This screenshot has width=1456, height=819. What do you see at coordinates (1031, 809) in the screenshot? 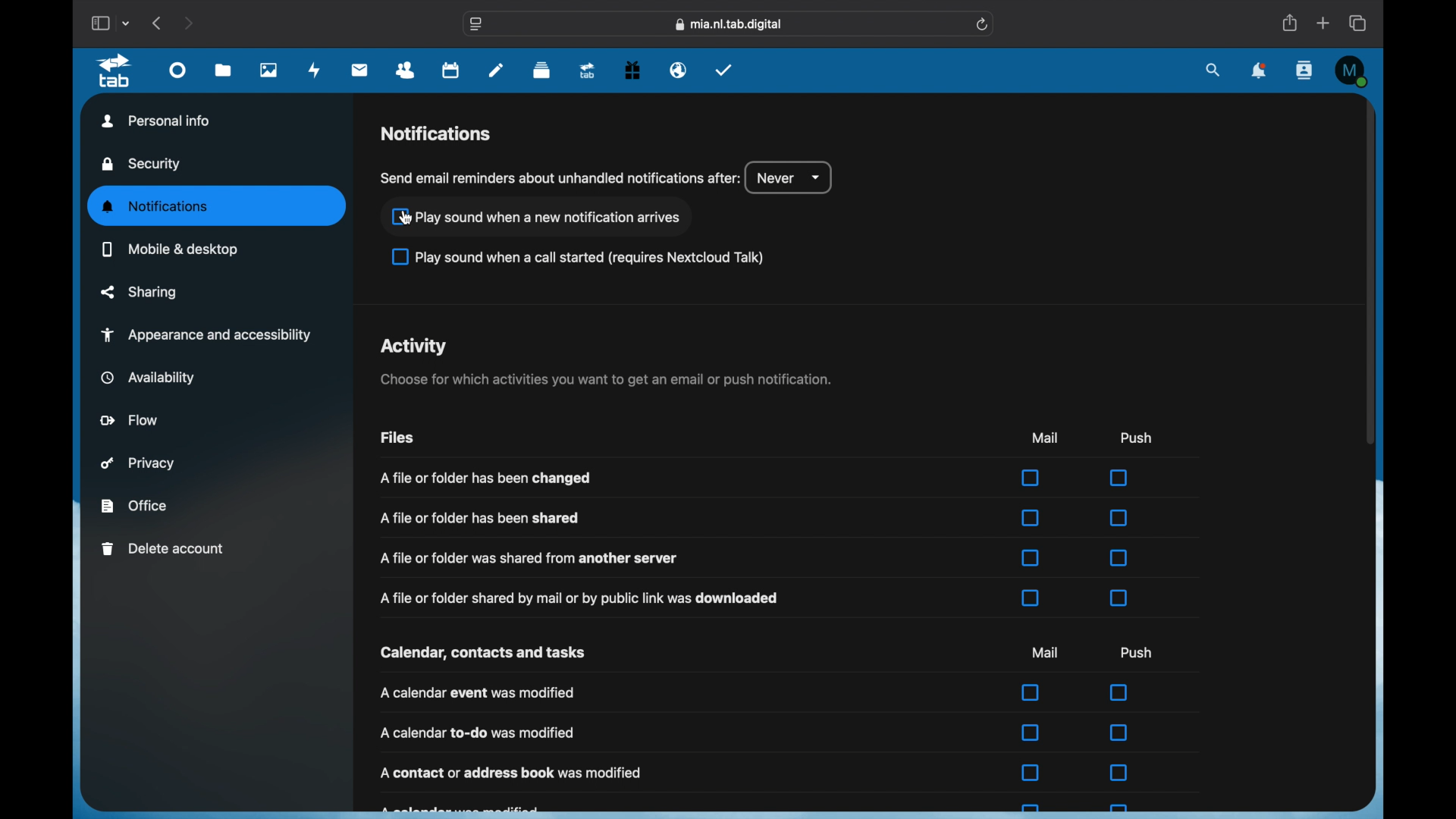
I see `checkbox` at bounding box center [1031, 809].